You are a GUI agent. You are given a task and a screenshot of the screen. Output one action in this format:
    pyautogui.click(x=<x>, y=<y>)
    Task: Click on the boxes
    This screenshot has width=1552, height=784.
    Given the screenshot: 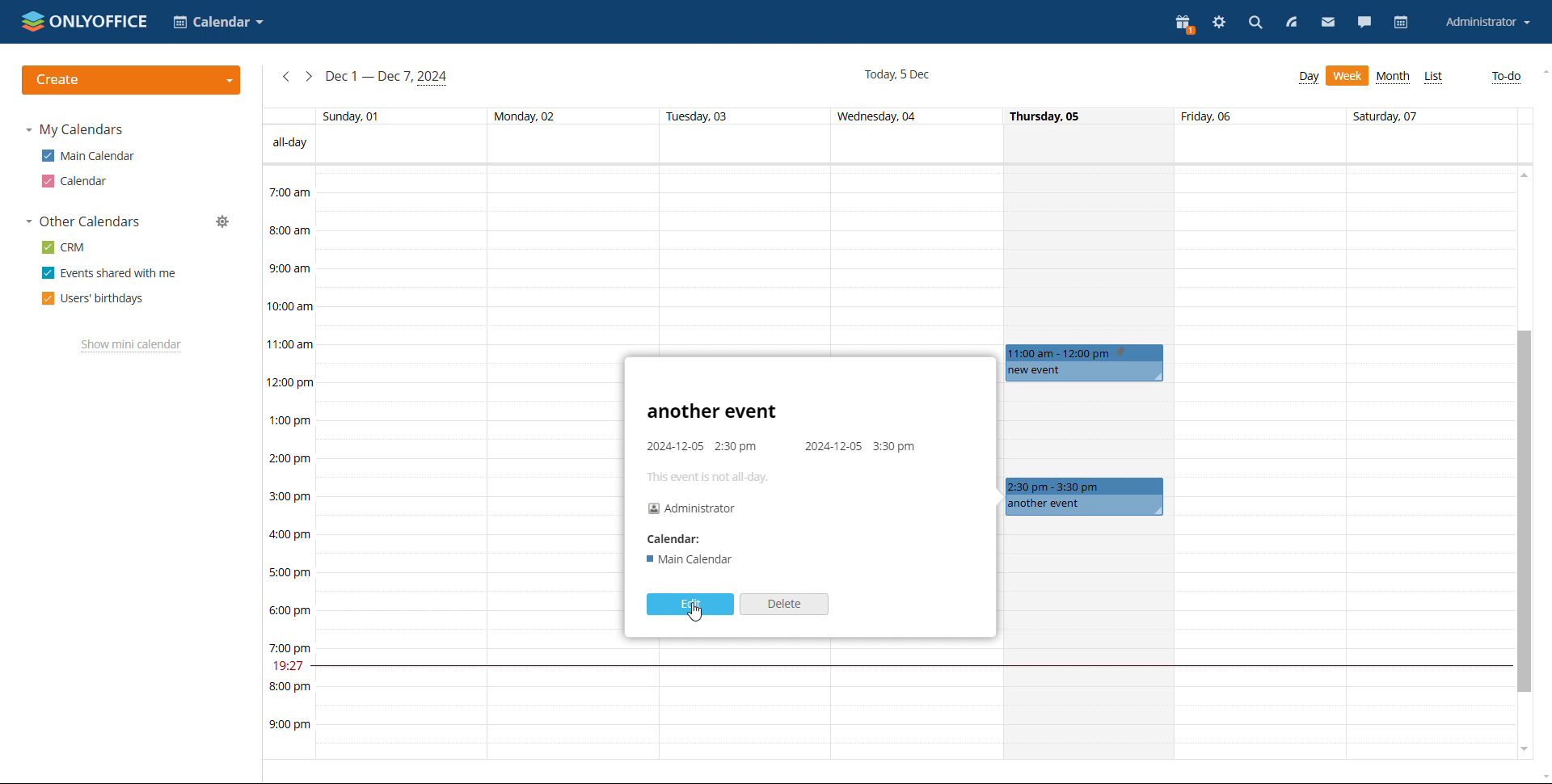 What is the action you would take?
    pyautogui.click(x=472, y=463)
    